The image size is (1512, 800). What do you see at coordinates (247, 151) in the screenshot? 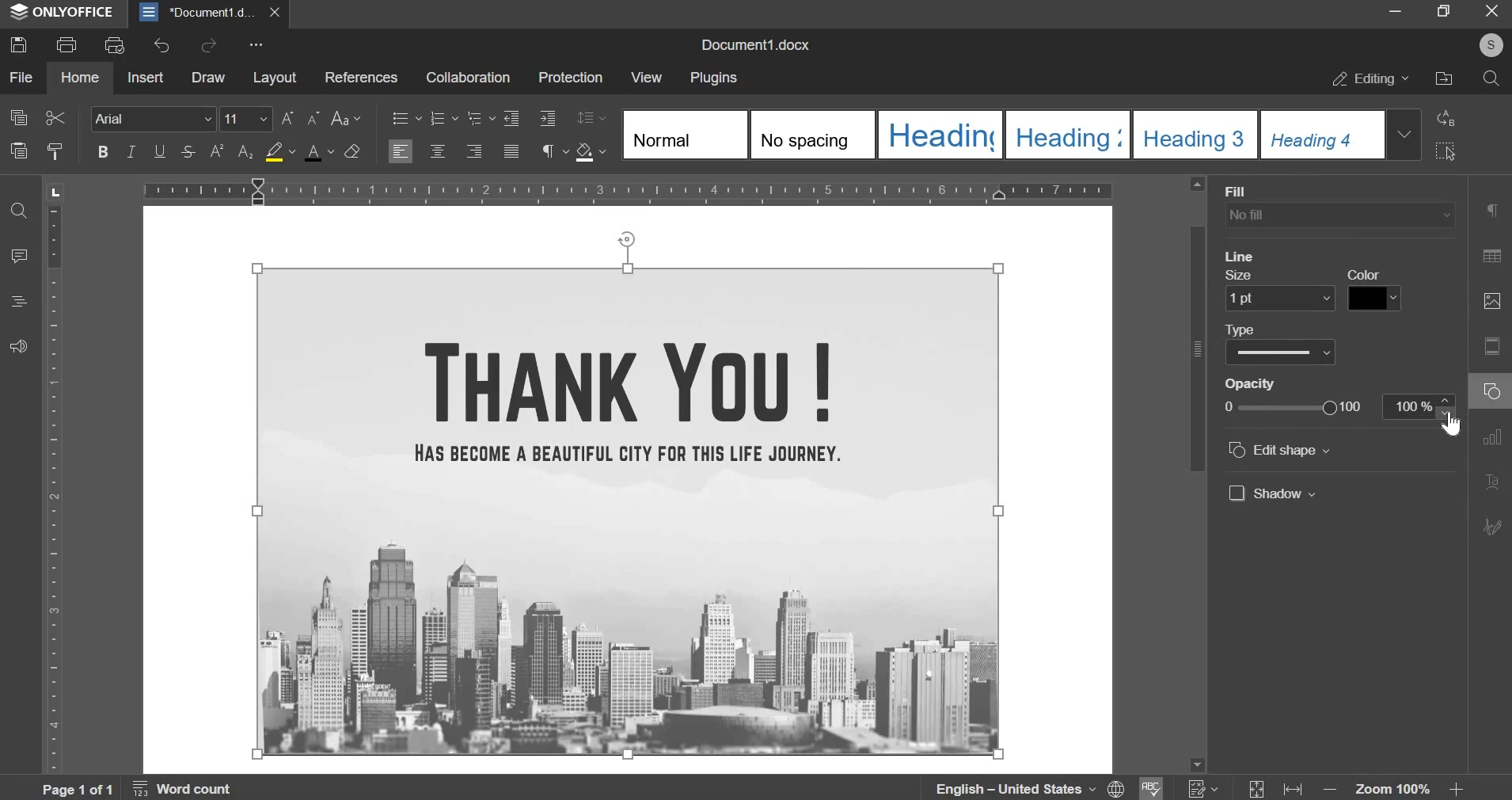
I see `subscript` at bounding box center [247, 151].